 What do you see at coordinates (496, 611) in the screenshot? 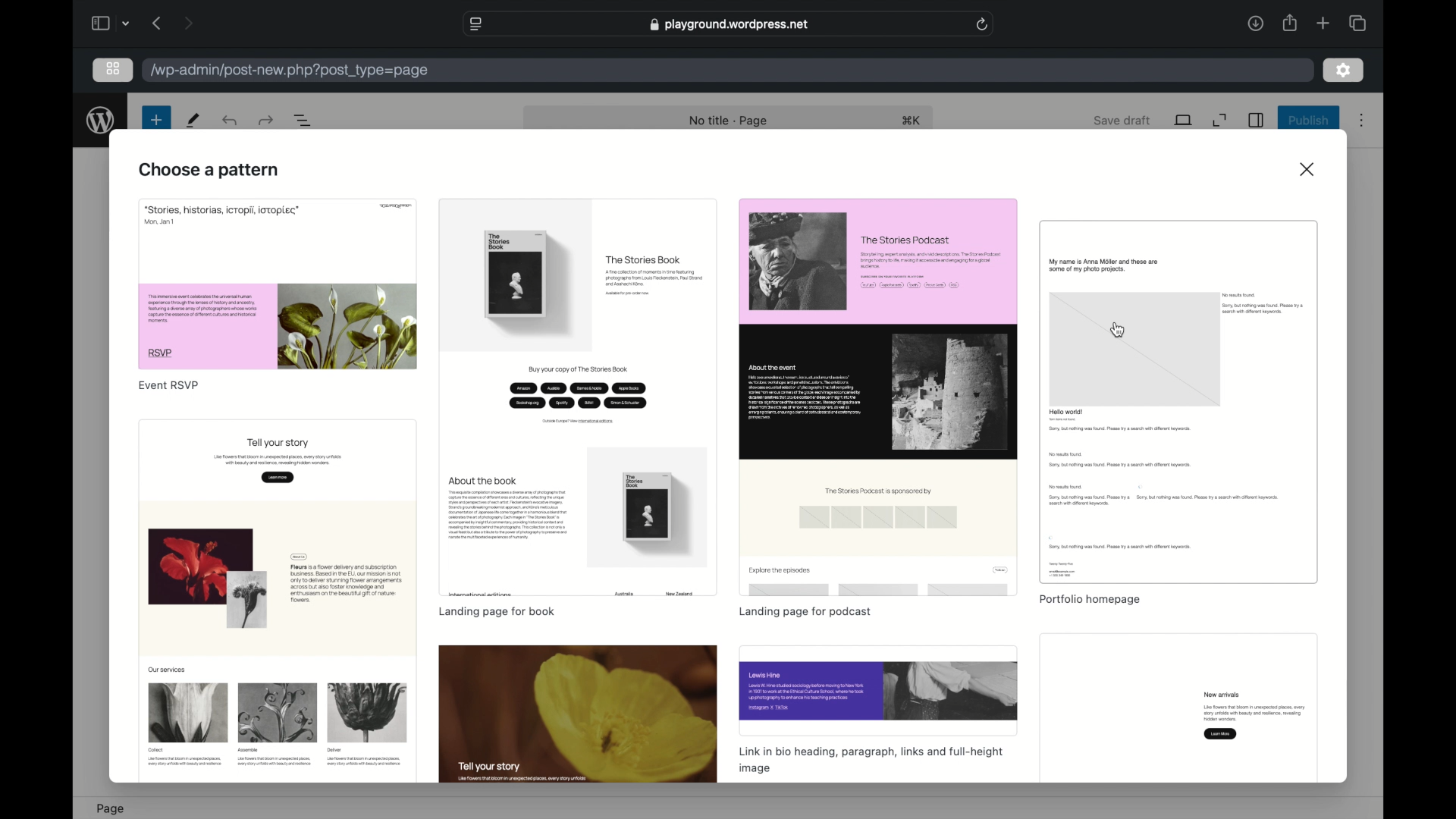
I see `landing page for book` at bounding box center [496, 611].